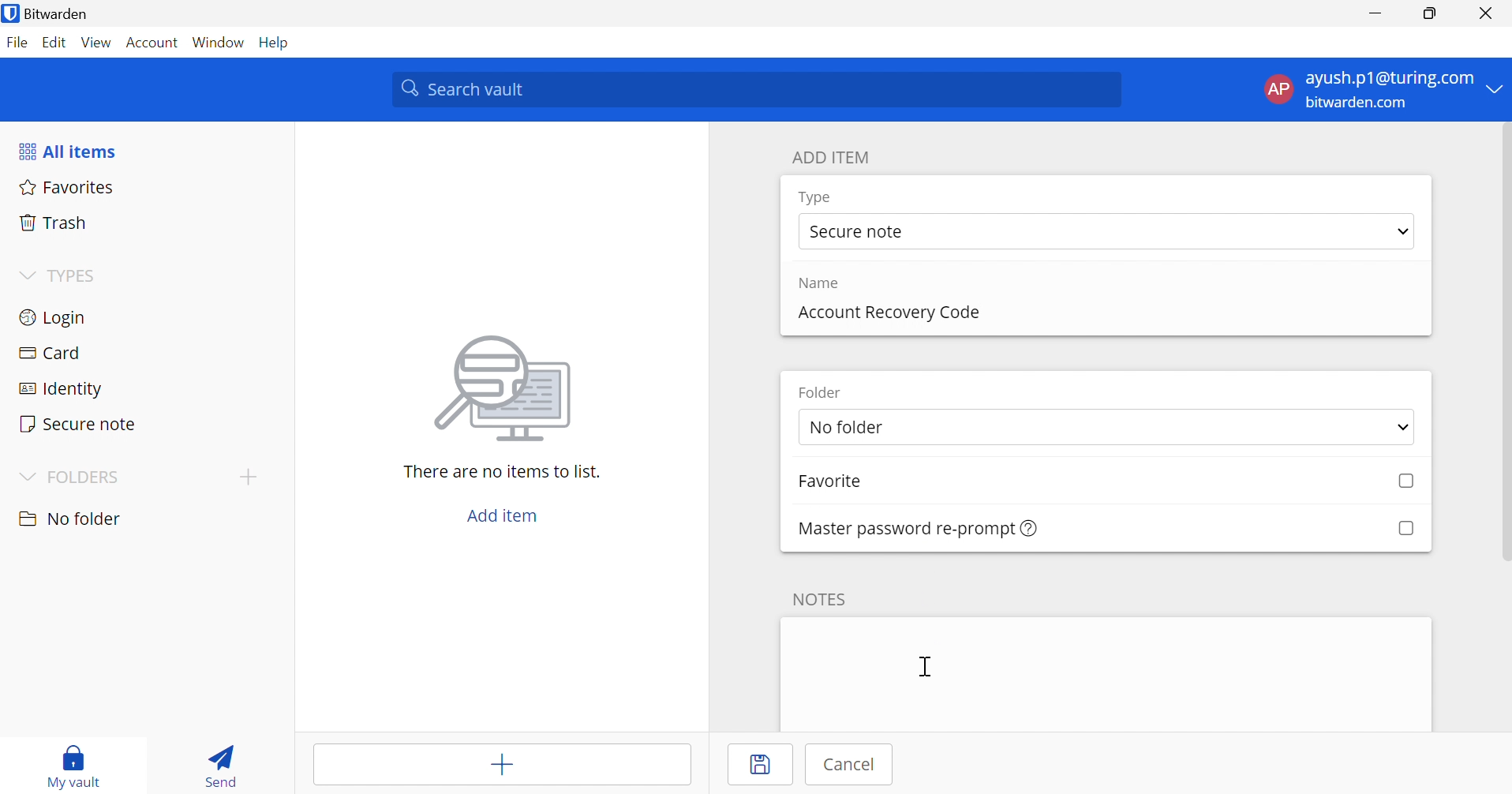 This screenshot has height=794, width=1512. Describe the element at coordinates (1399, 482) in the screenshot. I see `box` at that location.